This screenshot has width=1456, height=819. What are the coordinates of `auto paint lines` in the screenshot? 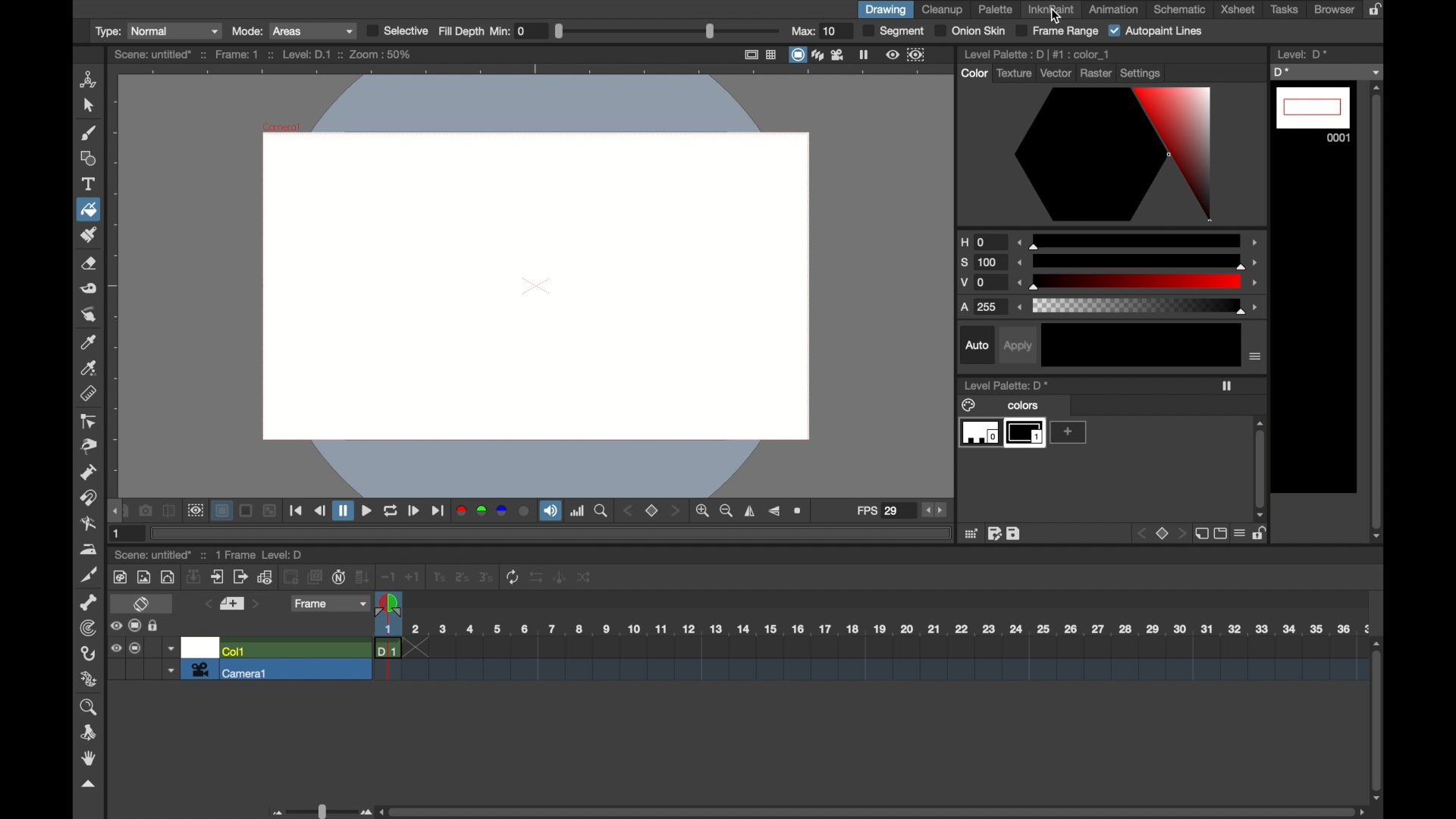 It's located at (1156, 31).